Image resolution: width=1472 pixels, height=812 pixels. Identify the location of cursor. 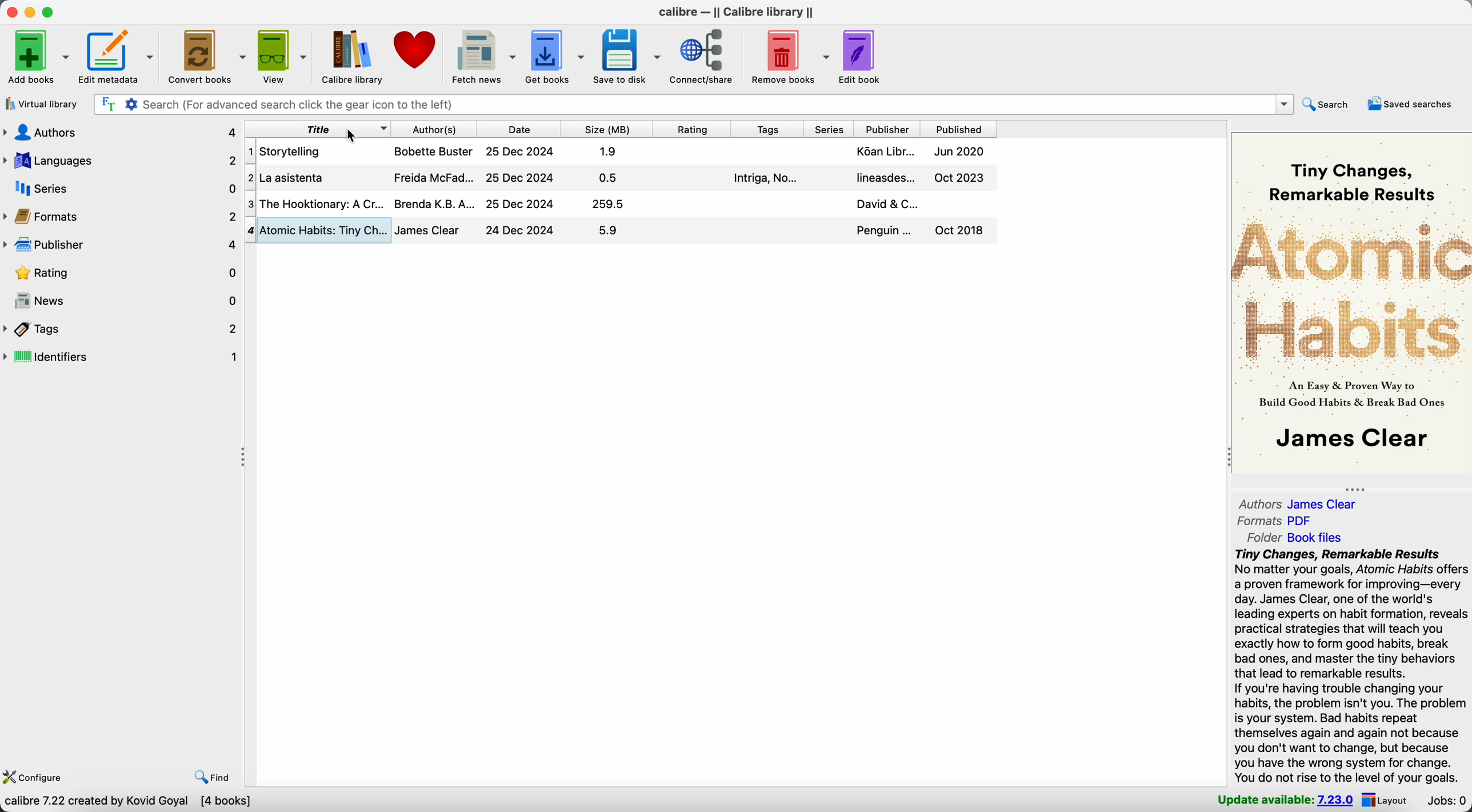
(353, 136).